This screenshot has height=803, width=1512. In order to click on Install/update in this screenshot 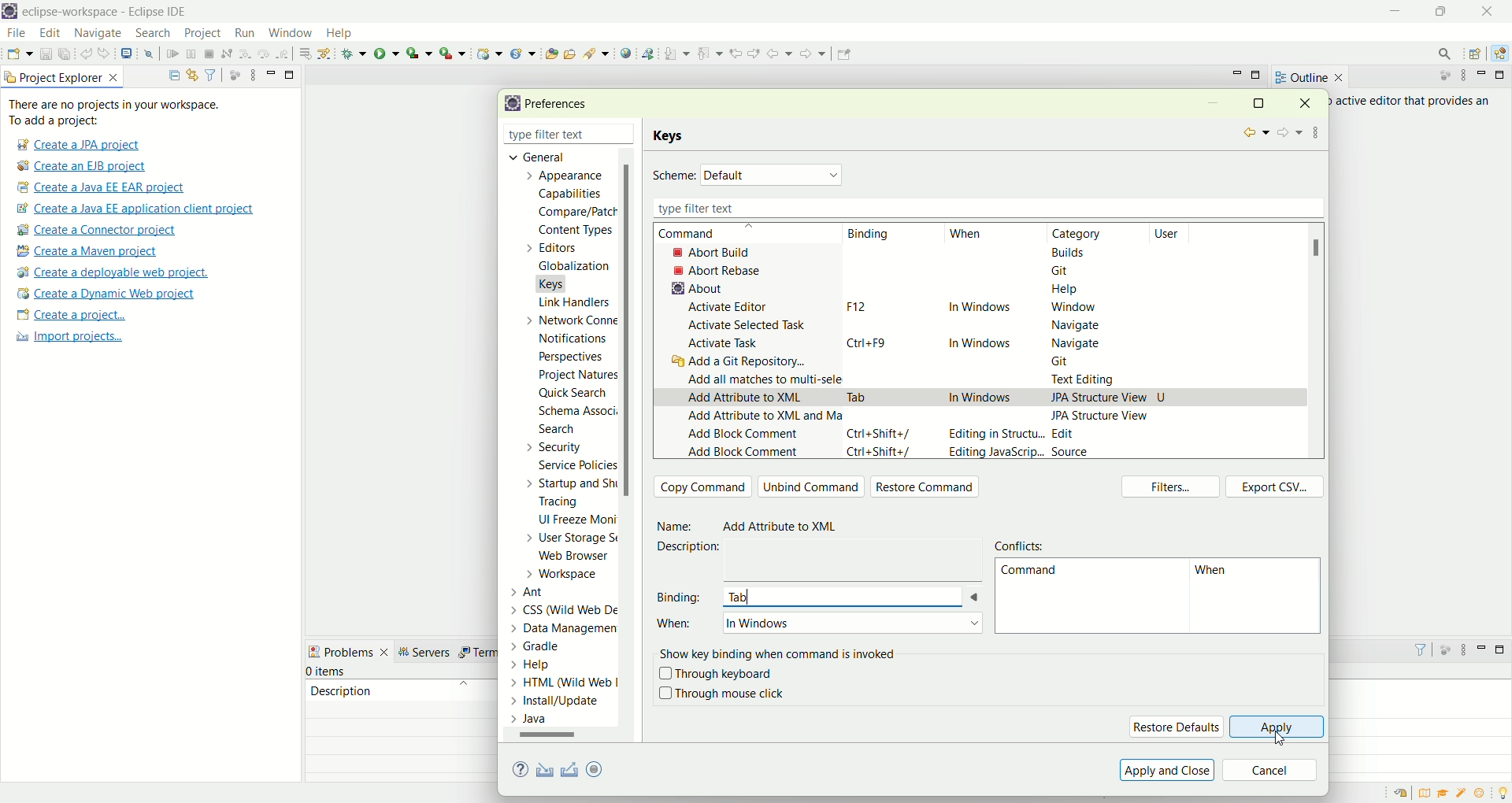, I will do `click(558, 703)`.